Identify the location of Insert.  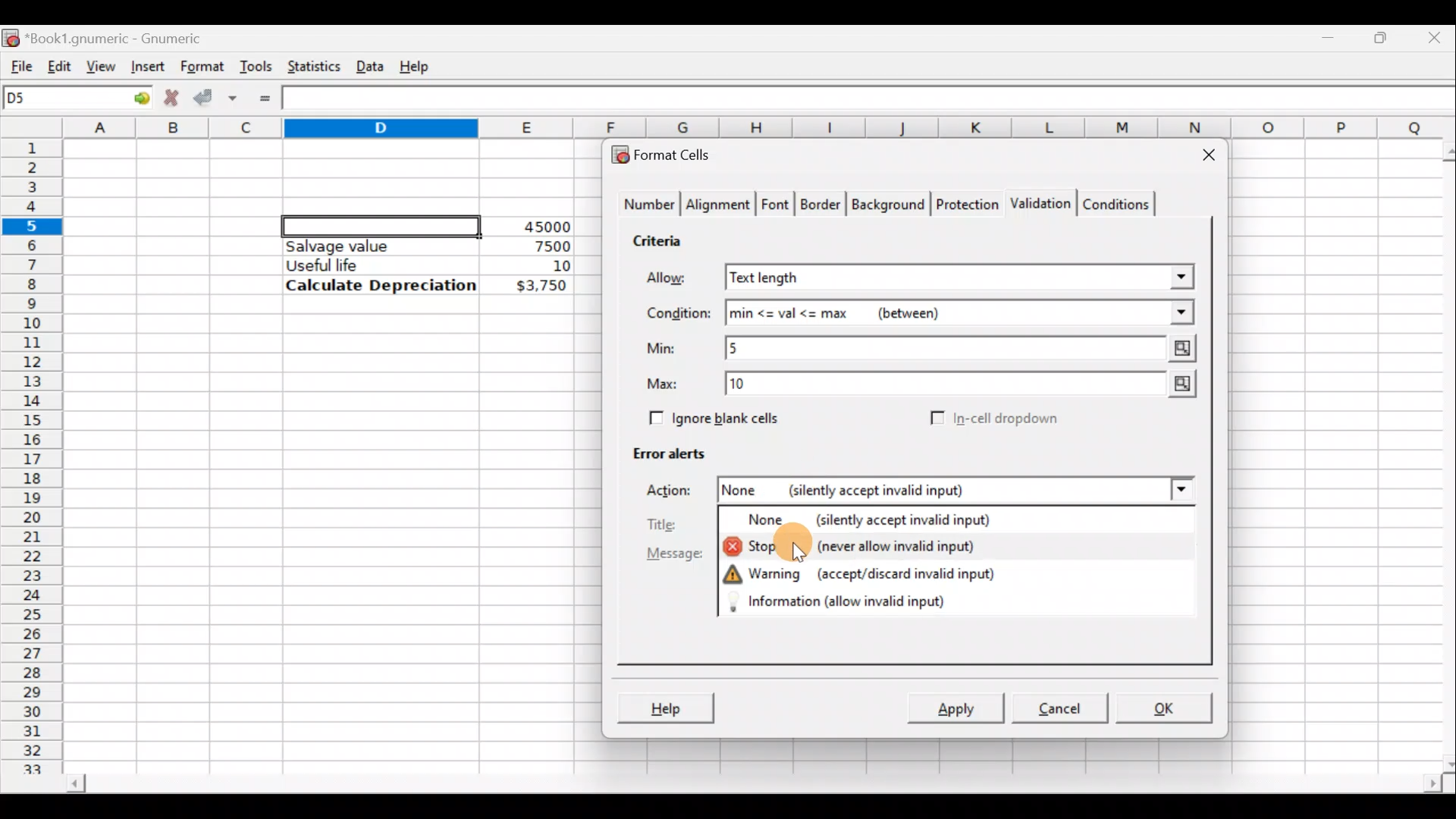
(146, 66).